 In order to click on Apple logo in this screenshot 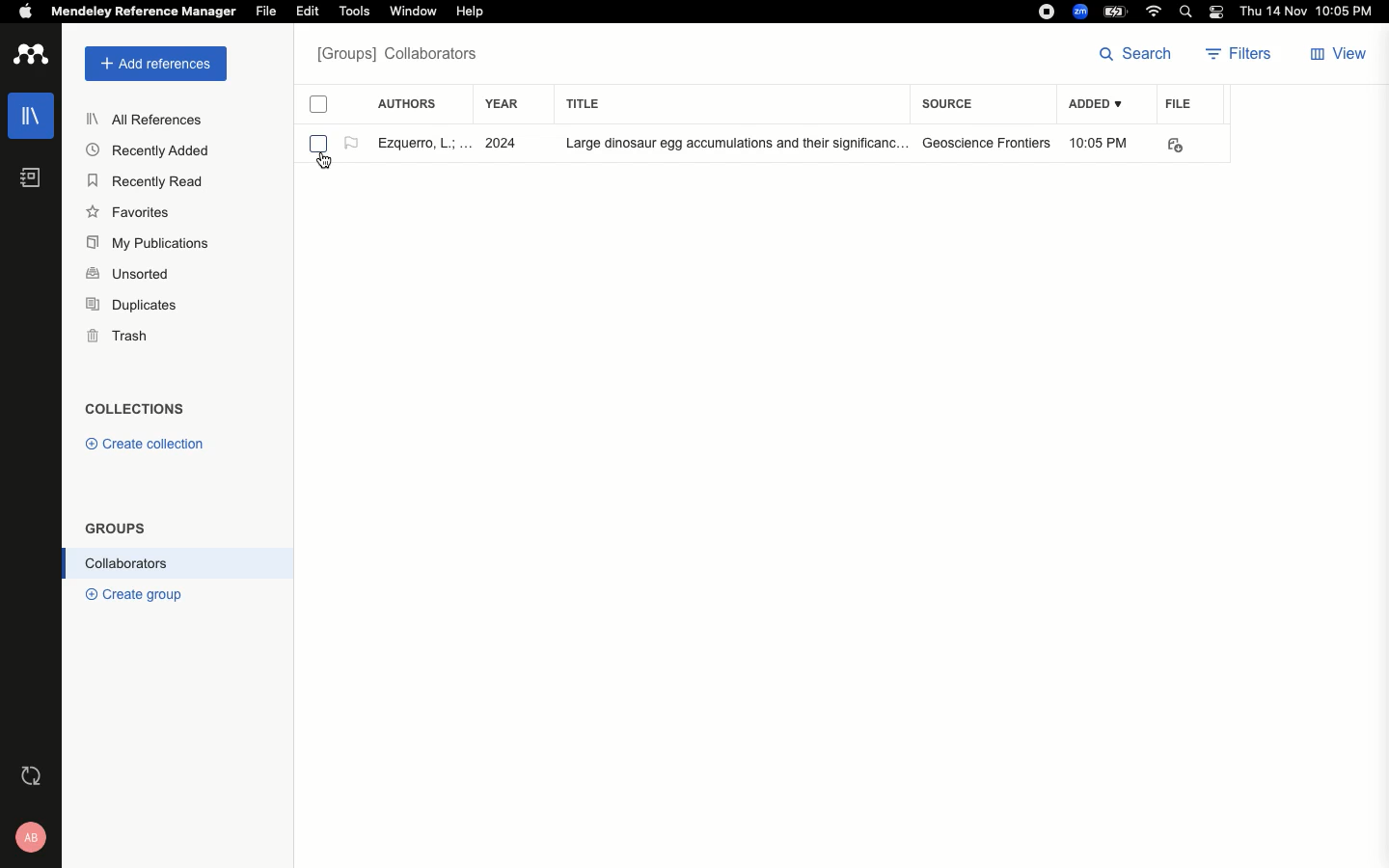, I will do `click(25, 10)`.